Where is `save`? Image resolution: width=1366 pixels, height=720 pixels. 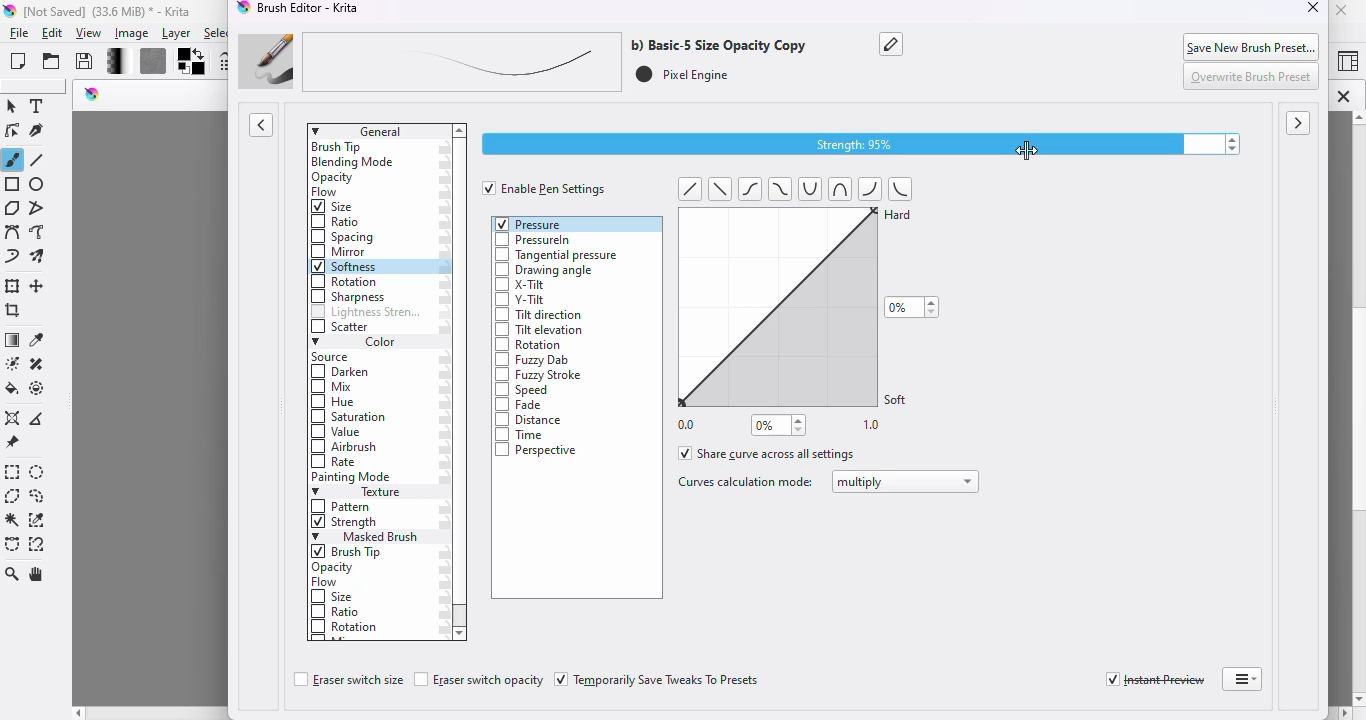
save is located at coordinates (85, 61).